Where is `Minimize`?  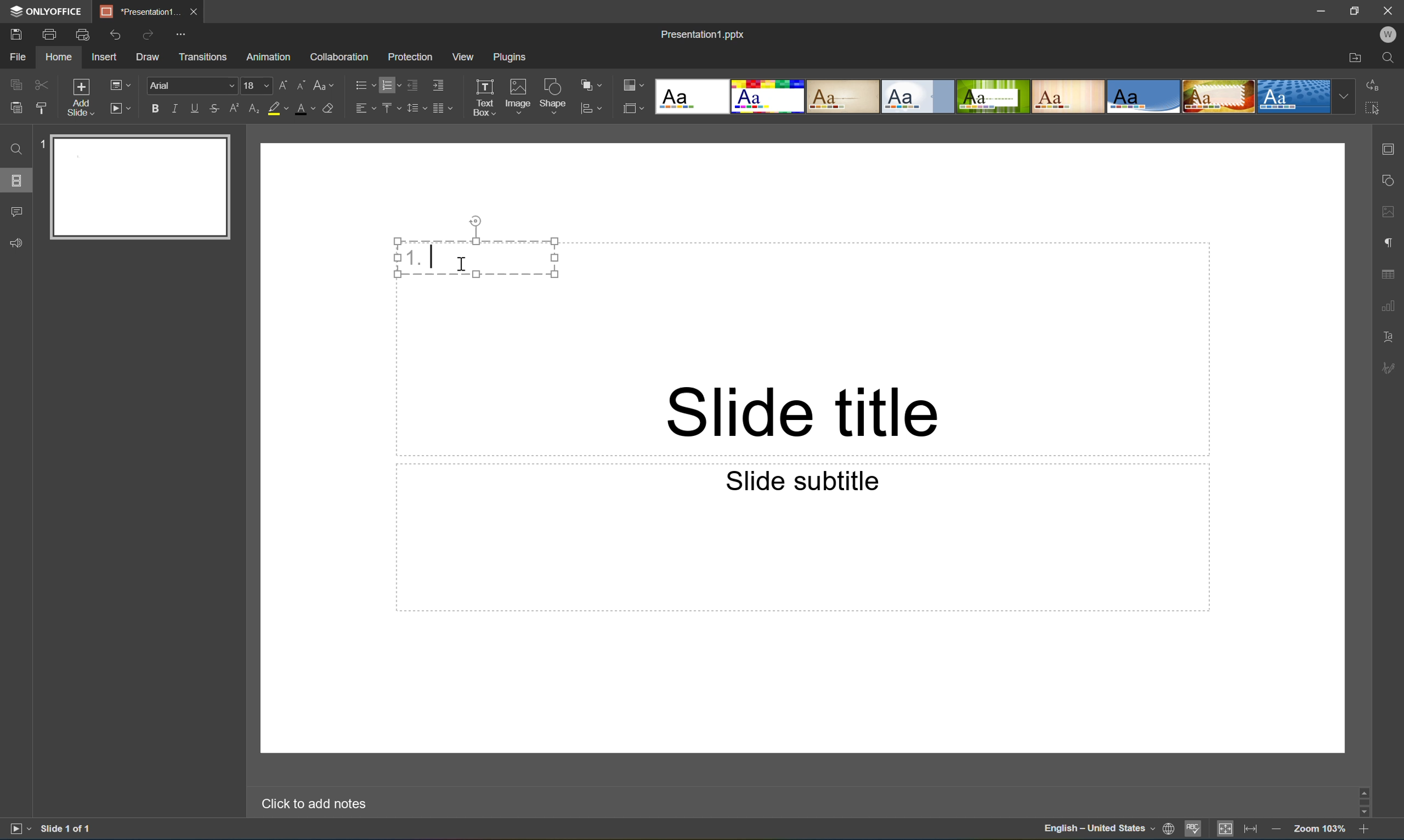
Minimize is located at coordinates (1321, 10).